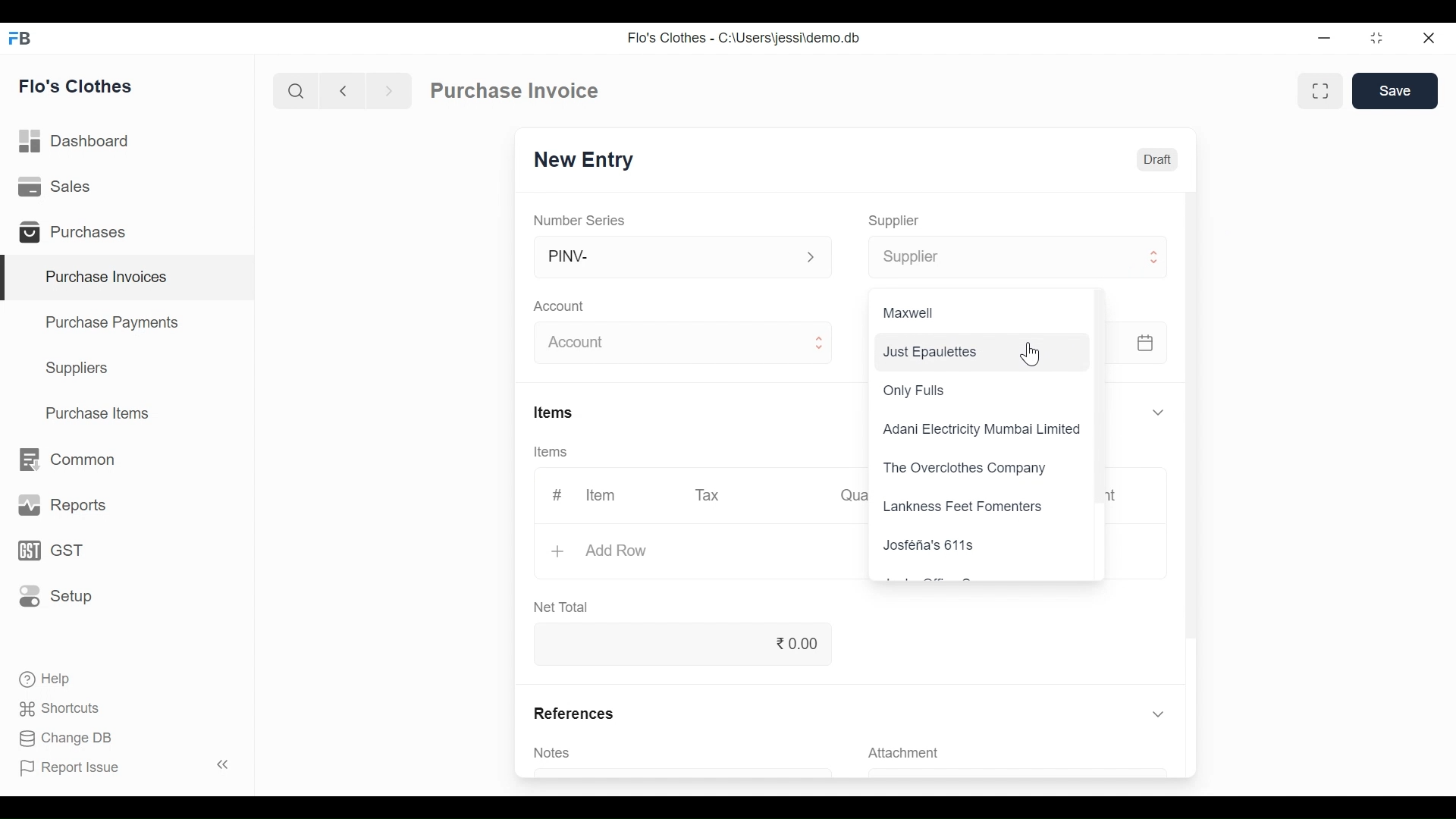 The width and height of the screenshot is (1456, 819). I want to click on Flo's Clothes, so click(78, 86).